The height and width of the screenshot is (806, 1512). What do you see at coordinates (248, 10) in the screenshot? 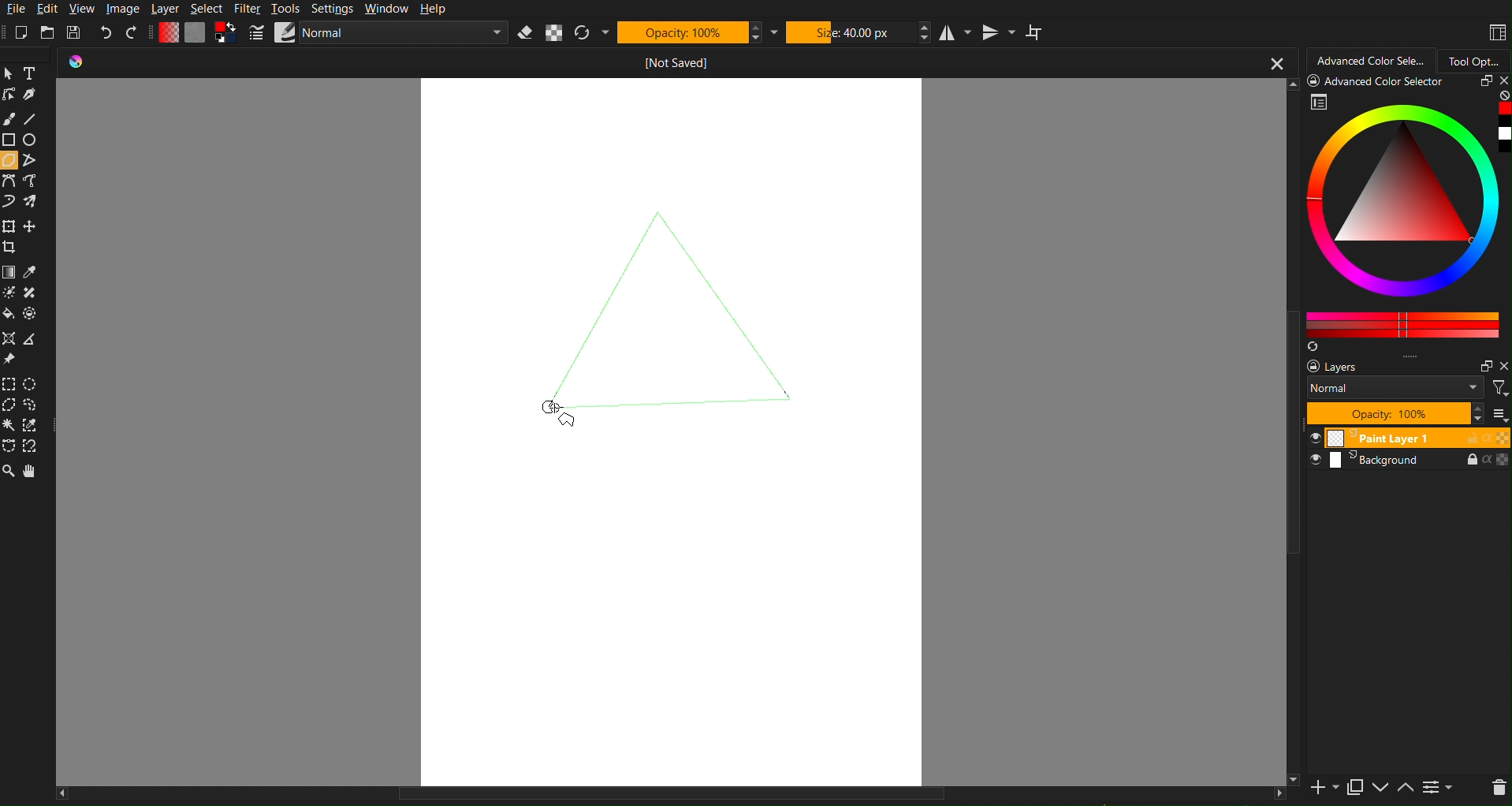
I see `Filter` at bounding box center [248, 10].